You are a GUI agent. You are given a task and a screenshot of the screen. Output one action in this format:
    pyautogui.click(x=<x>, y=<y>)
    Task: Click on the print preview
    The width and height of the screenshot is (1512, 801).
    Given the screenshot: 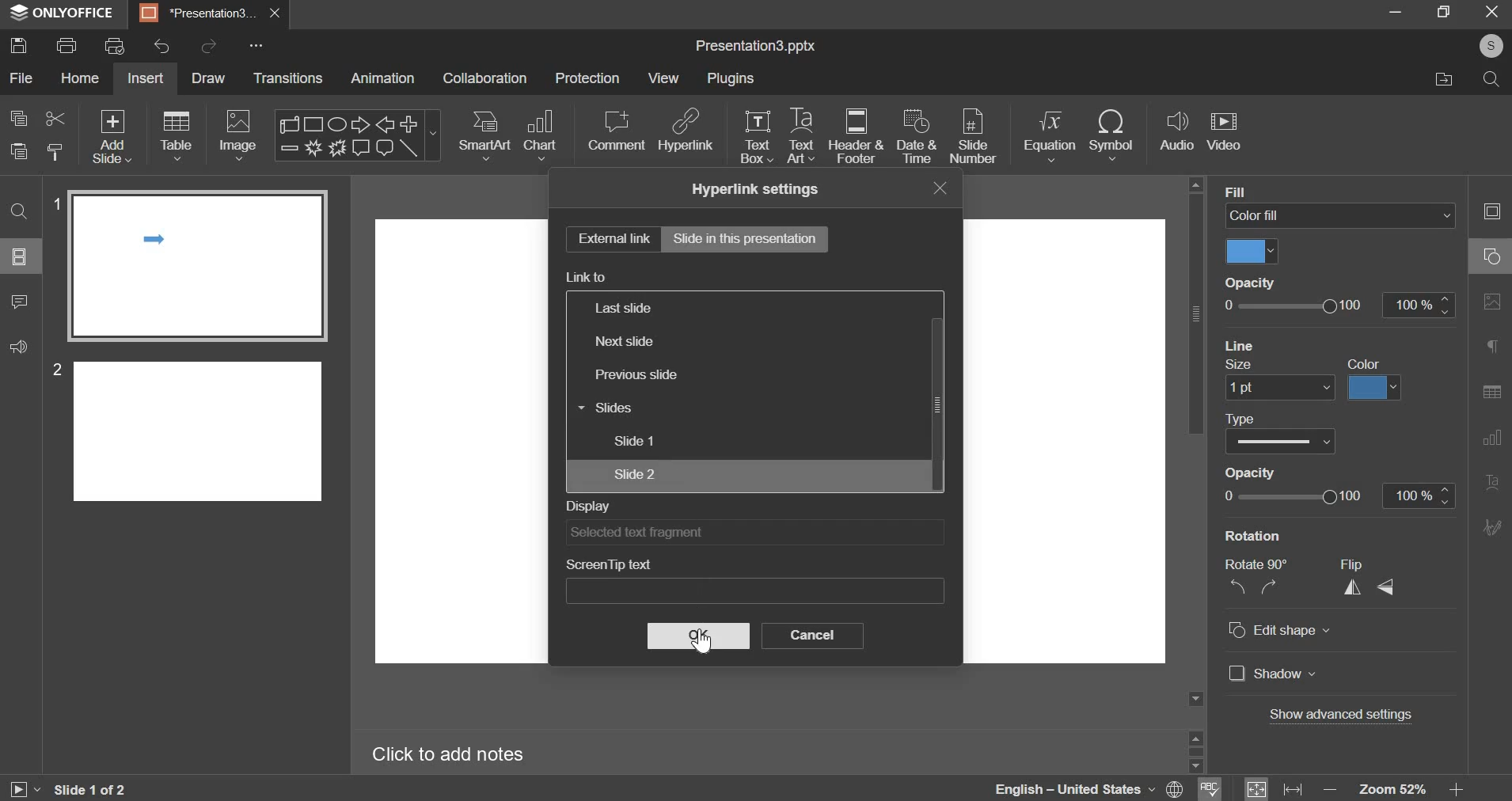 What is the action you would take?
    pyautogui.click(x=115, y=45)
    